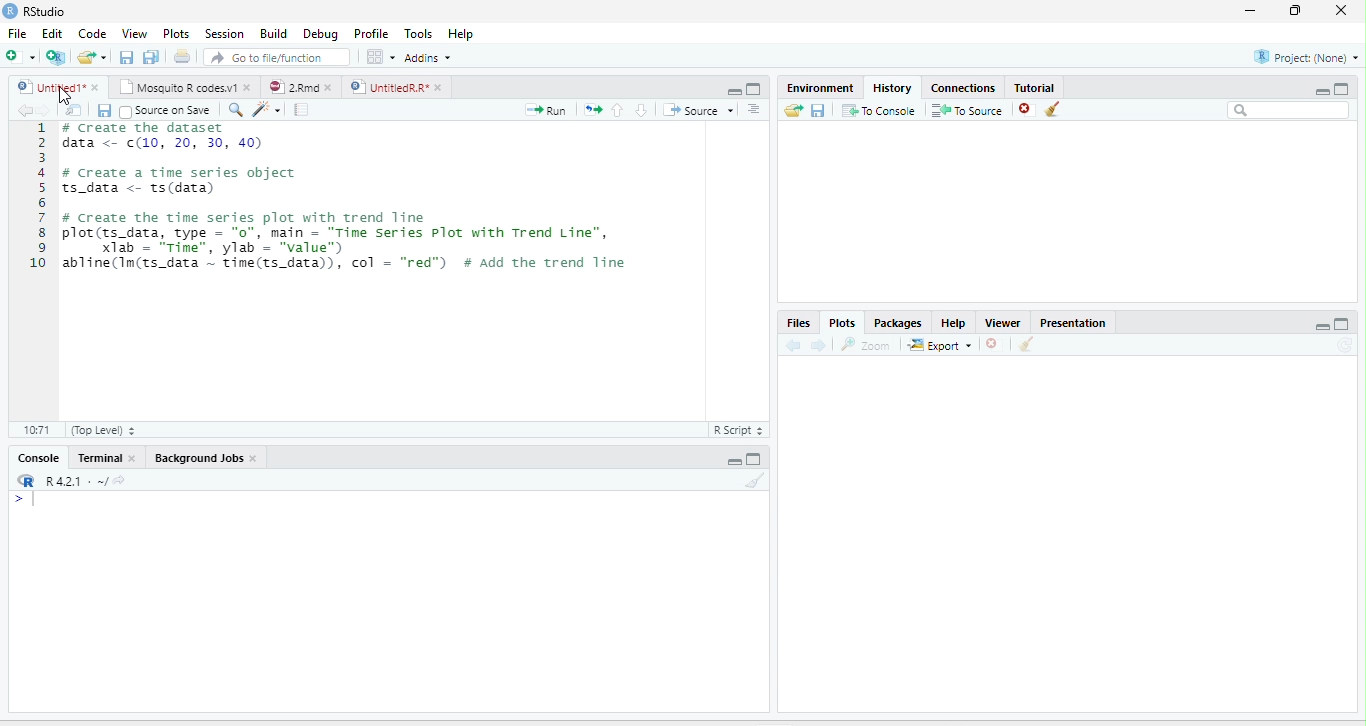 The height and width of the screenshot is (726, 1366). What do you see at coordinates (698, 110) in the screenshot?
I see `Source` at bounding box center [698, 110].